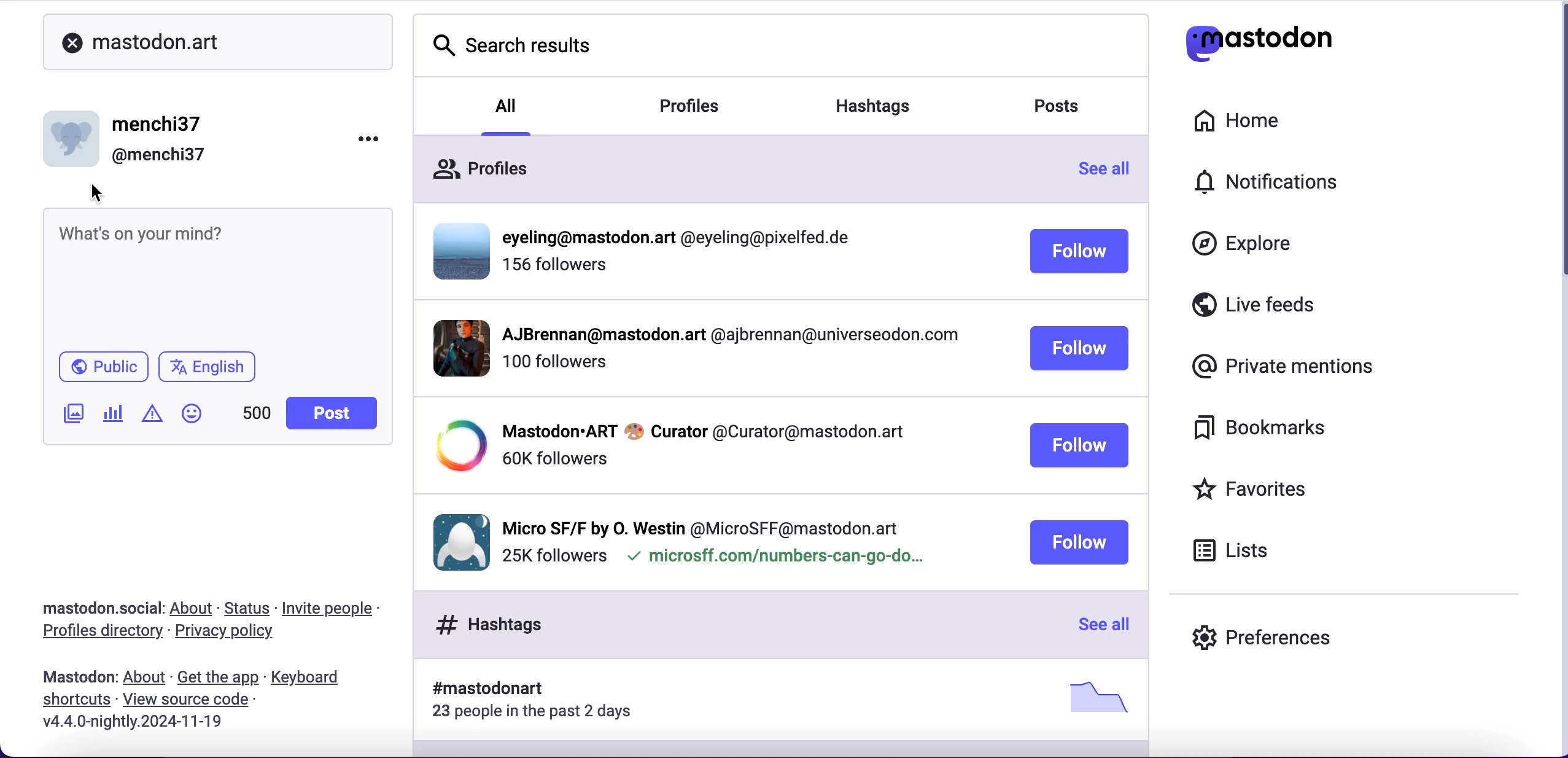 The image size is (1568, 758). I want to click on hashtags, so click(878, 103).